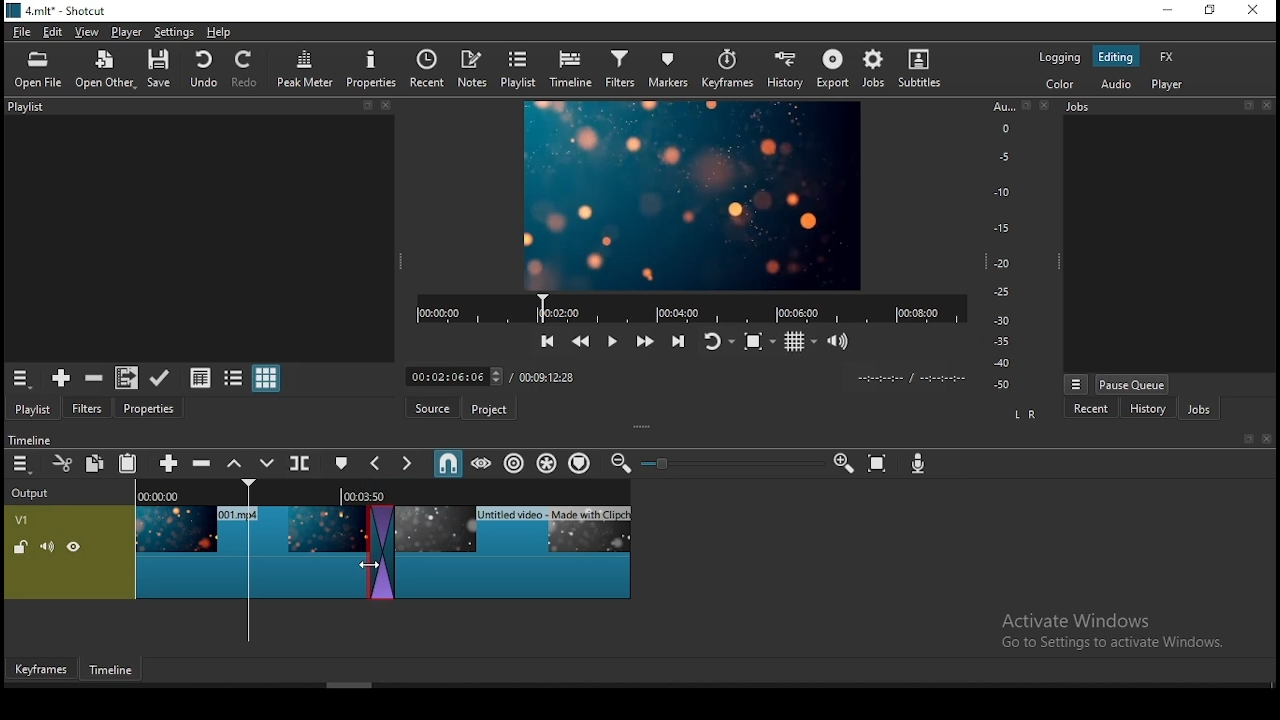 The height and width of the screenshot is (720, 1280). What do you see at coordinates (1172, 107) in the screenshot?
I see `jobs` at bounding box center [1172, 107].